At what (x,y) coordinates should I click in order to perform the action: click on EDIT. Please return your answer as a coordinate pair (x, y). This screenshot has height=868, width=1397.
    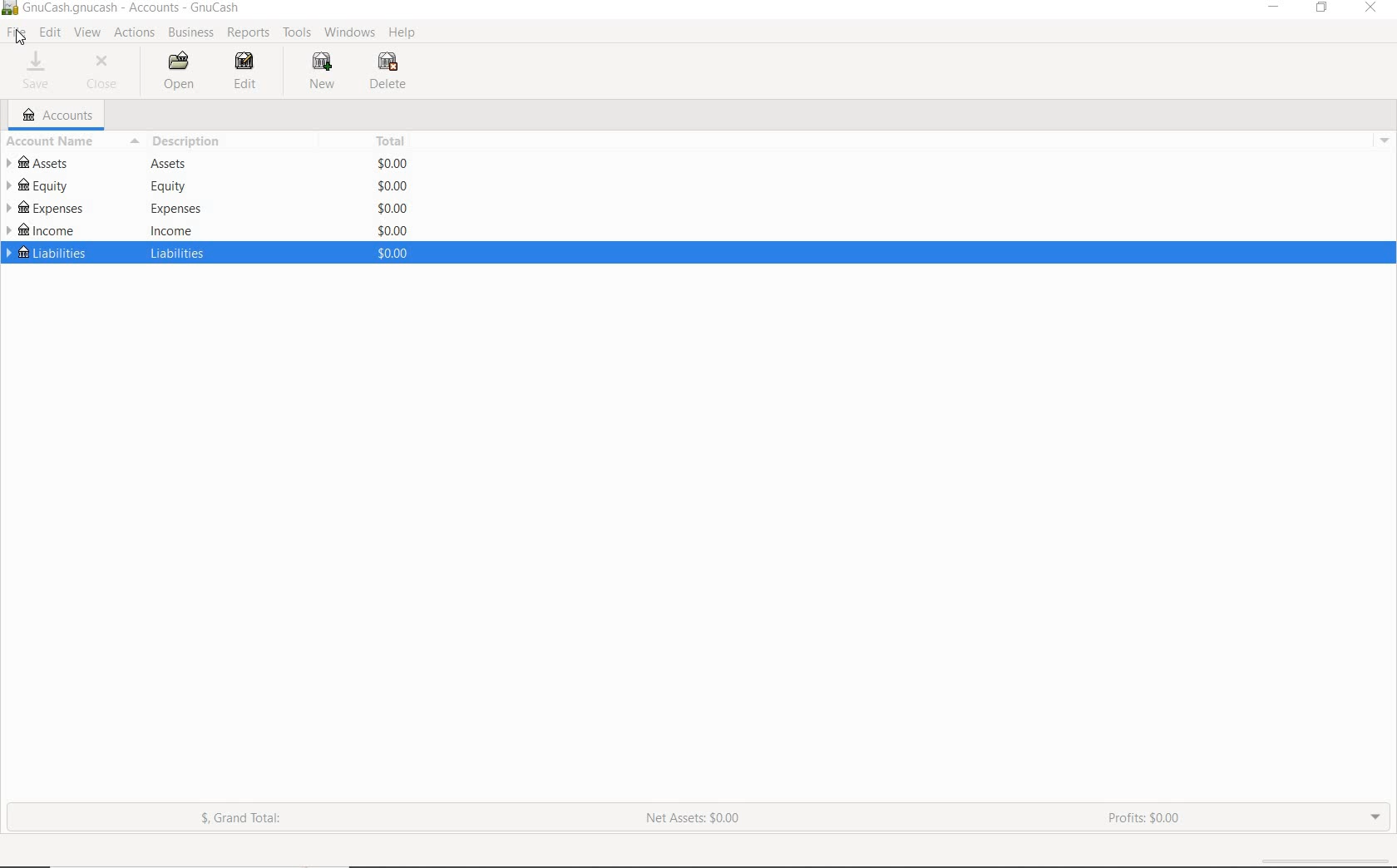
    Looking at the image, I should click on (241, 73).